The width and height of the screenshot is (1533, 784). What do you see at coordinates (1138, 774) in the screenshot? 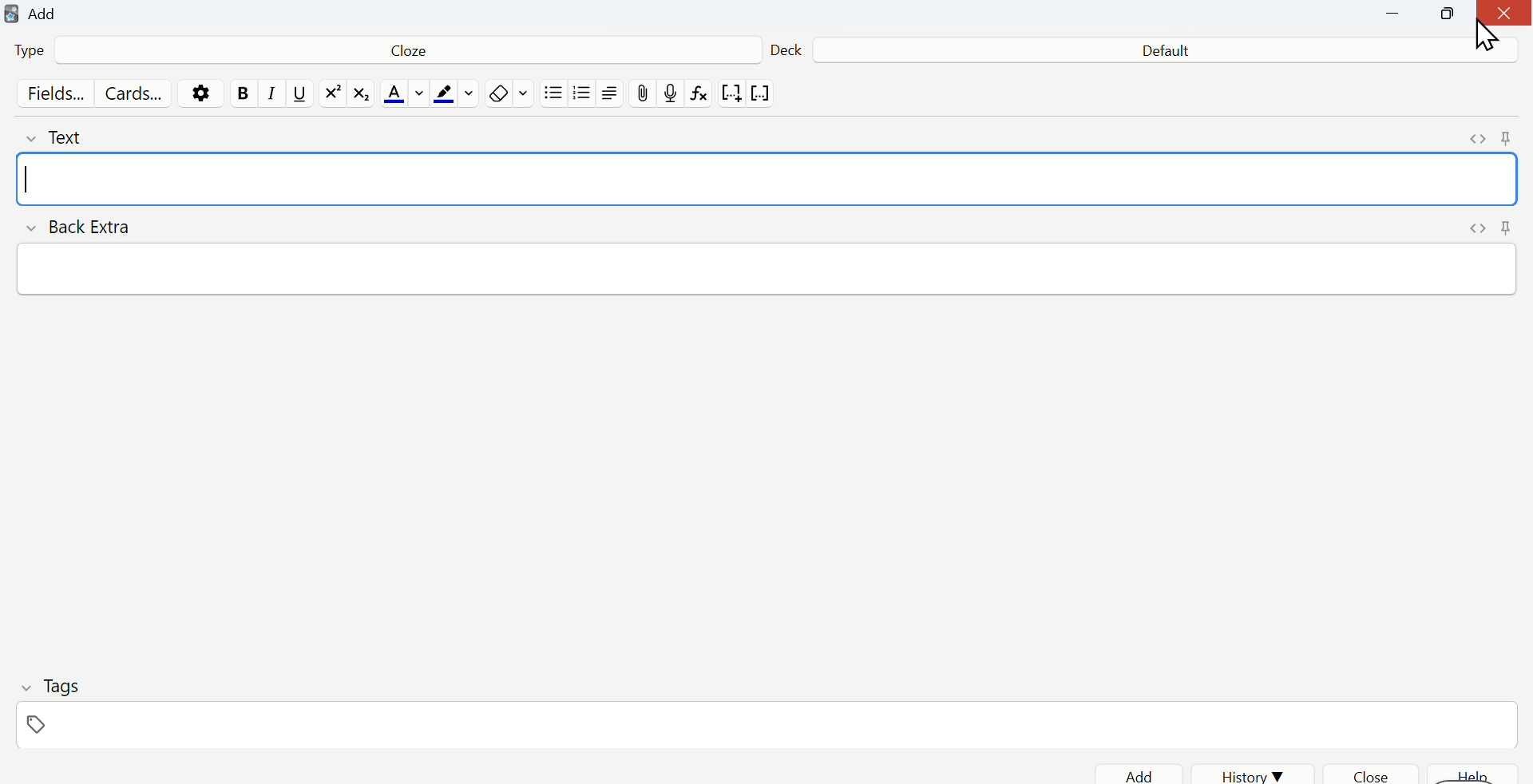
I see `Add` at bounding box center [1138, 774].